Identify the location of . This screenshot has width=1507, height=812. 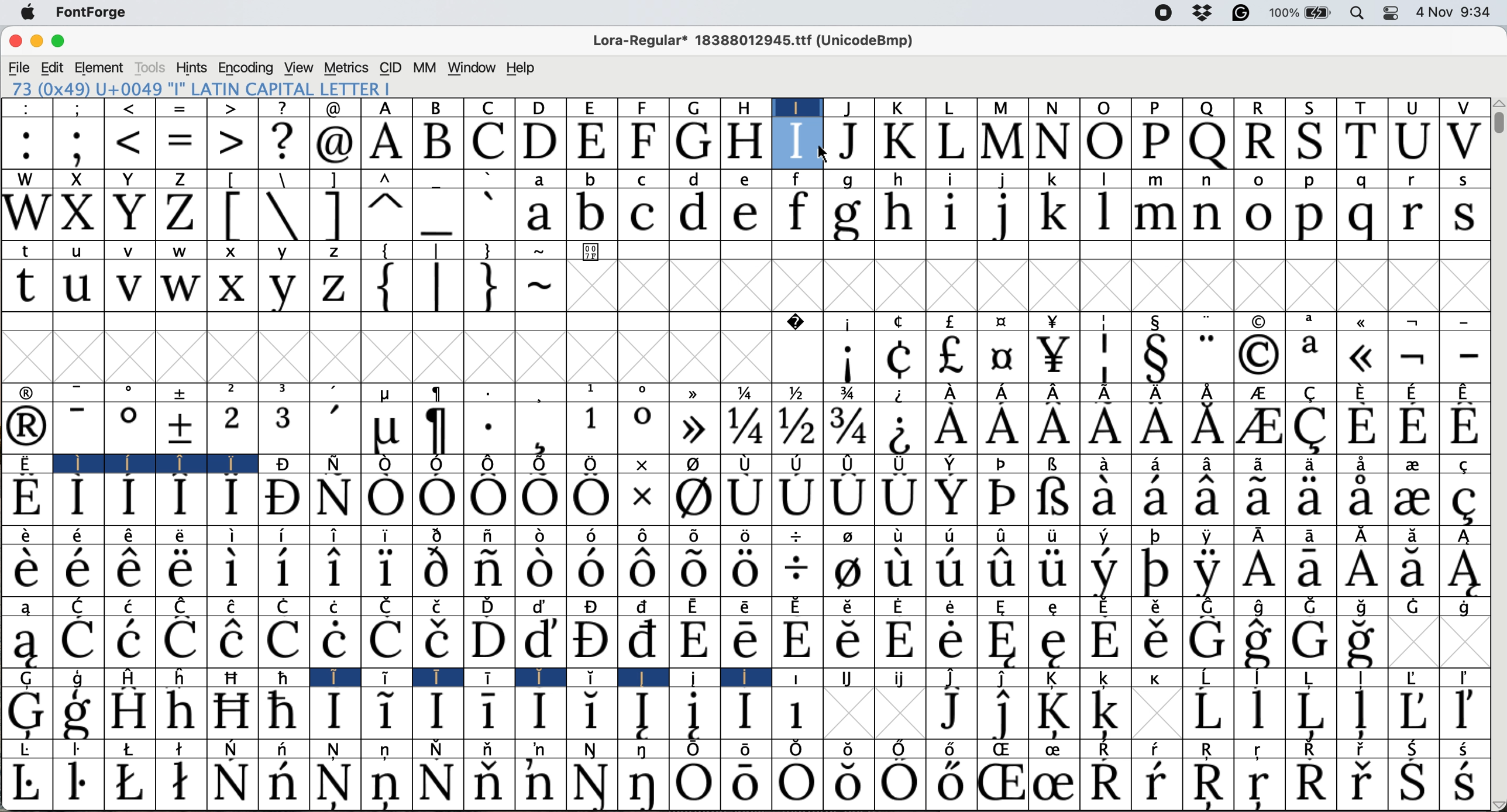
(1498, 804).